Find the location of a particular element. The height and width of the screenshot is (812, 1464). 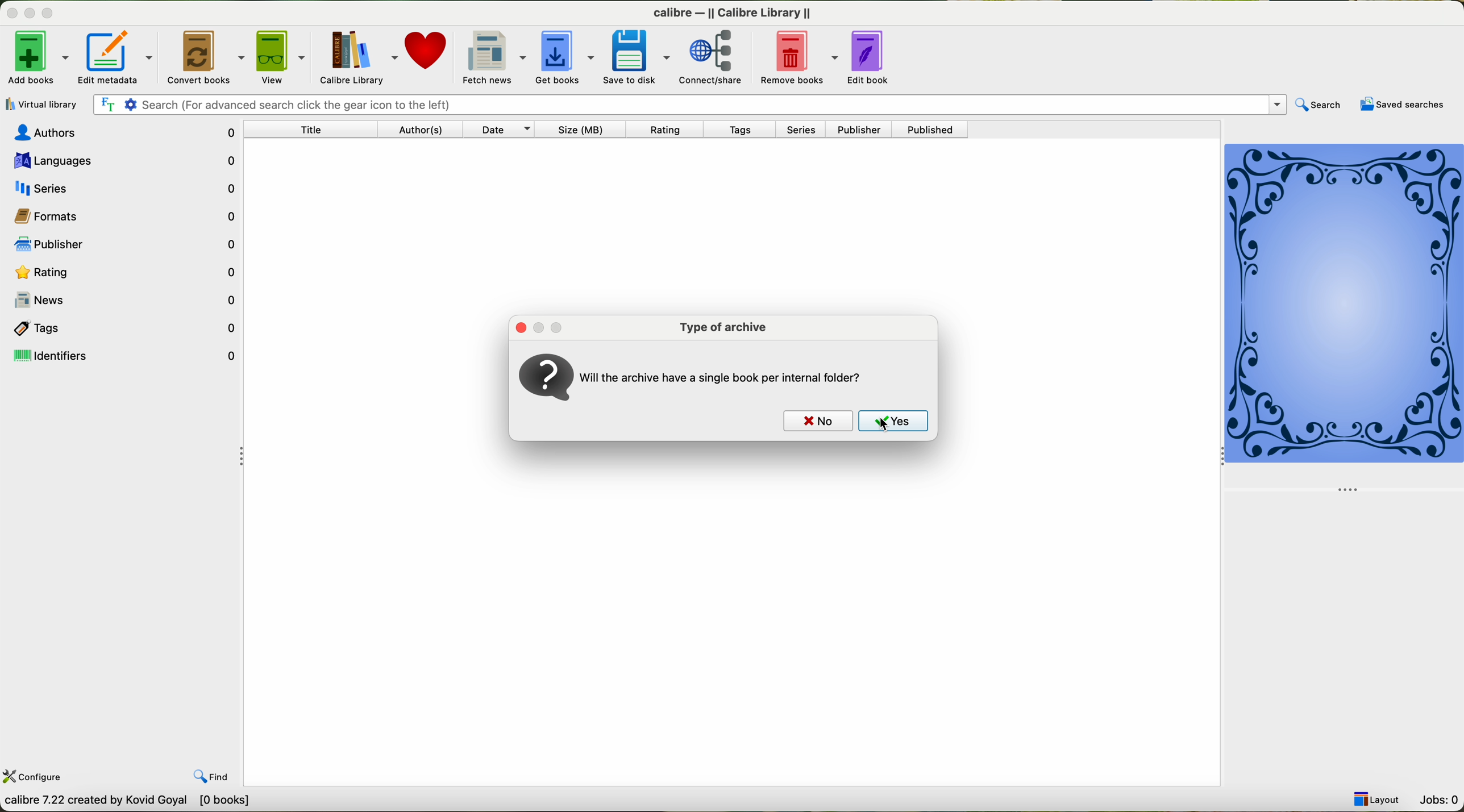

find is located at coordinates (216, 777).